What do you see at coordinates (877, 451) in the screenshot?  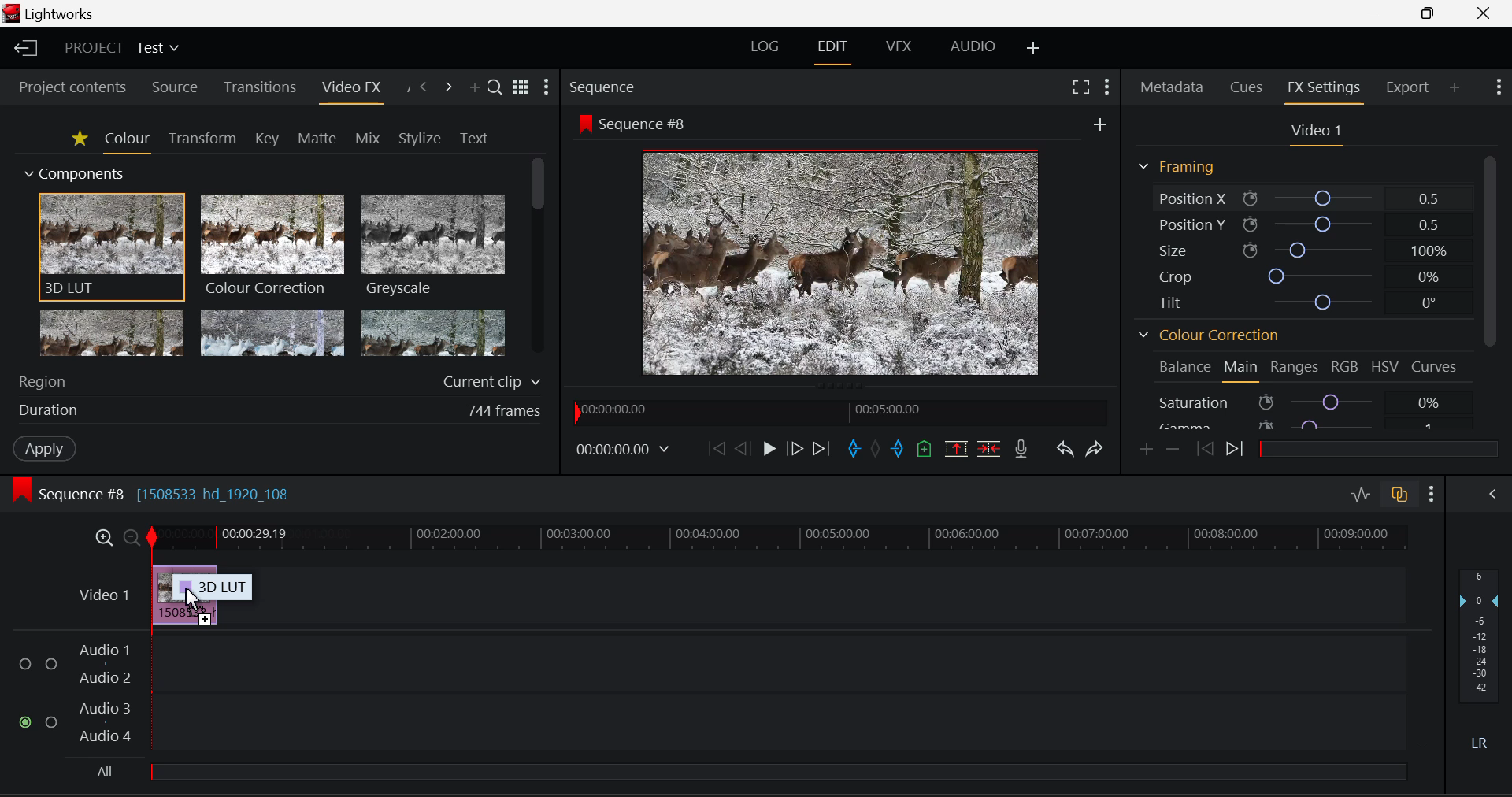 I see `Remove all marks` at bounding box center [877, 451].